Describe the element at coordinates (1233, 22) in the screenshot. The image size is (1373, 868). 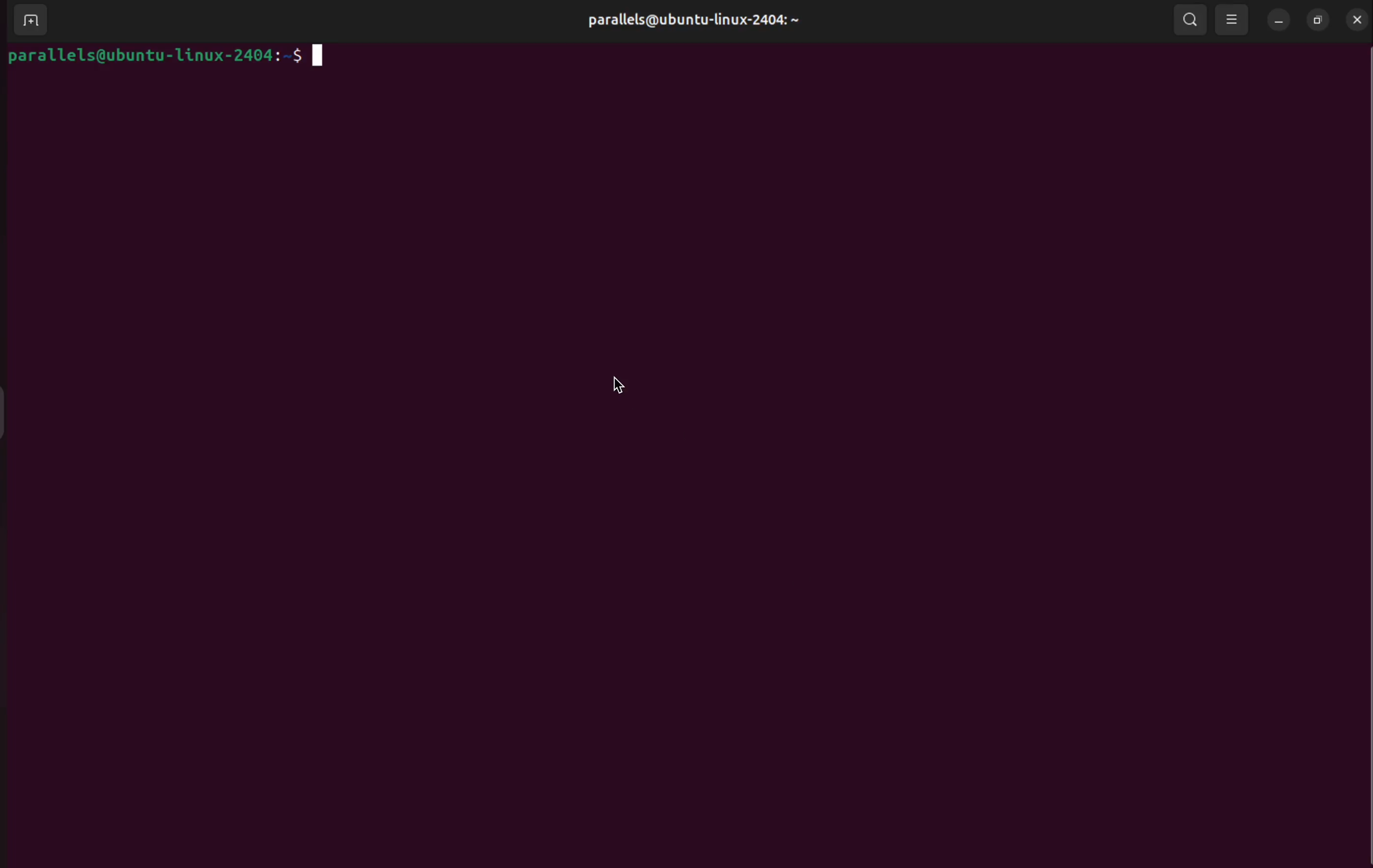
I see `view option` at that location.